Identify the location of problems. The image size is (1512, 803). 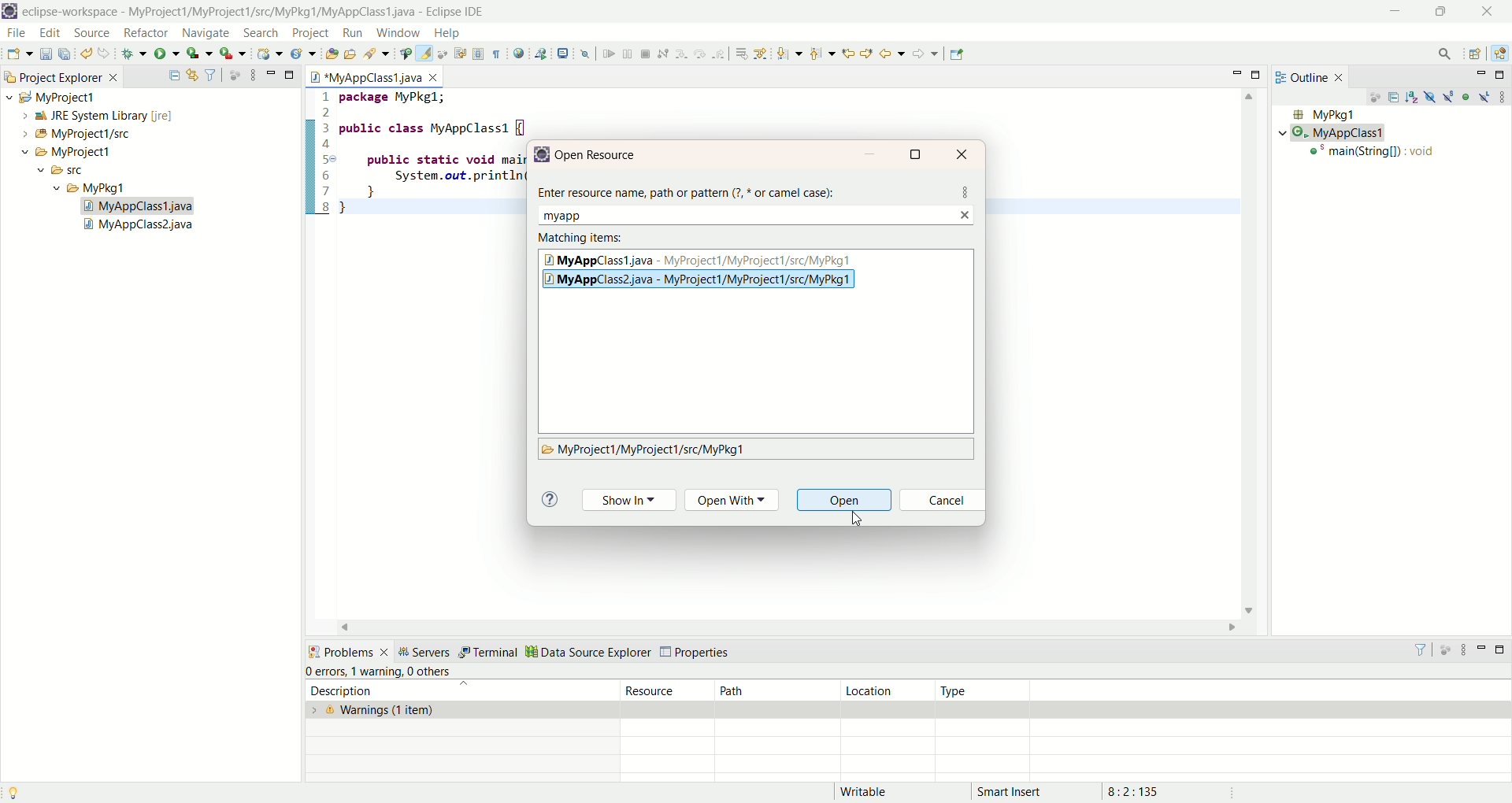
(347, 650).